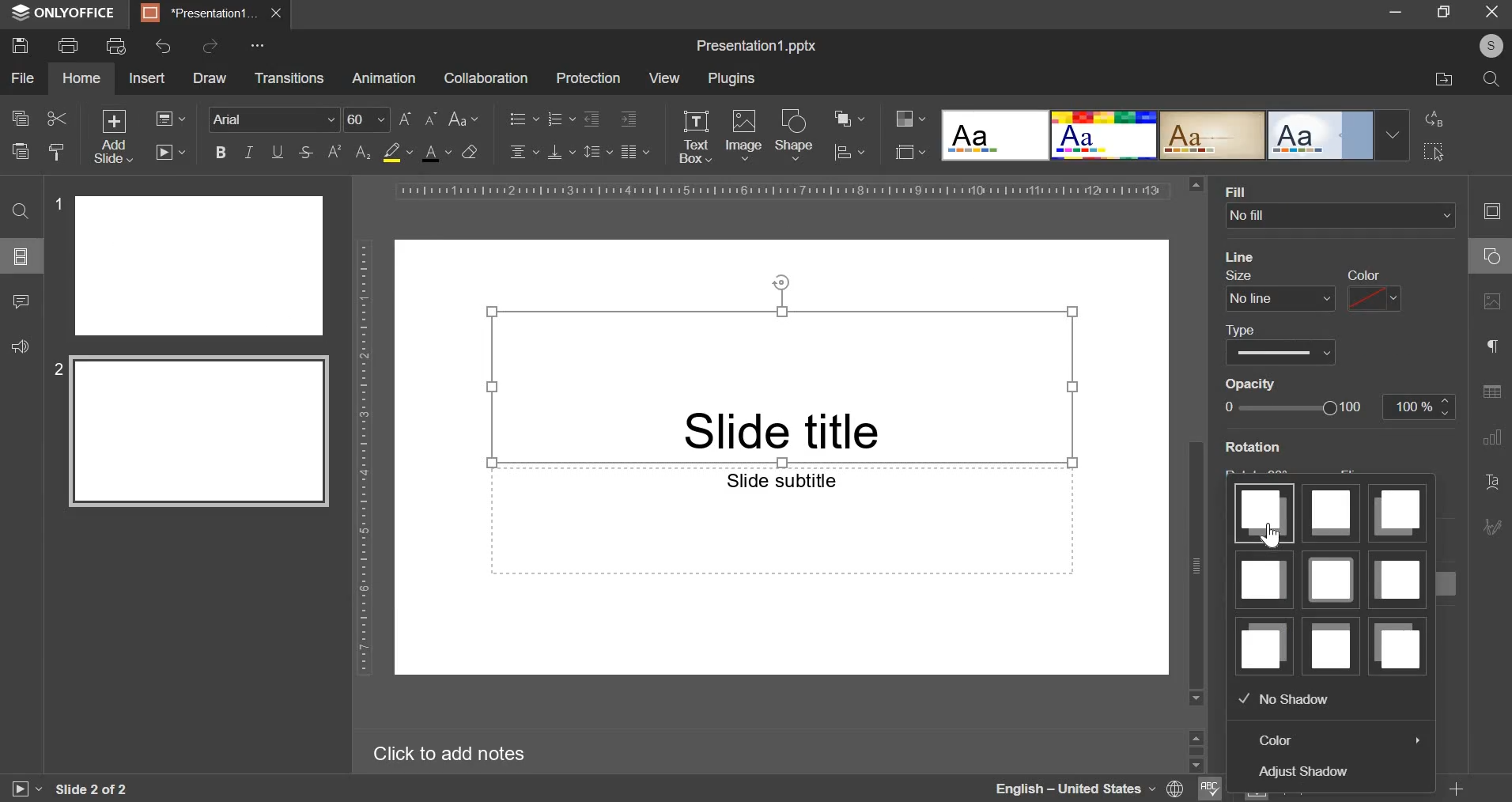 The image size is (1512, 802). What do you see at coordinates (22, 78) in the screenshot?
I see `file` at bounding box center [22, 78].